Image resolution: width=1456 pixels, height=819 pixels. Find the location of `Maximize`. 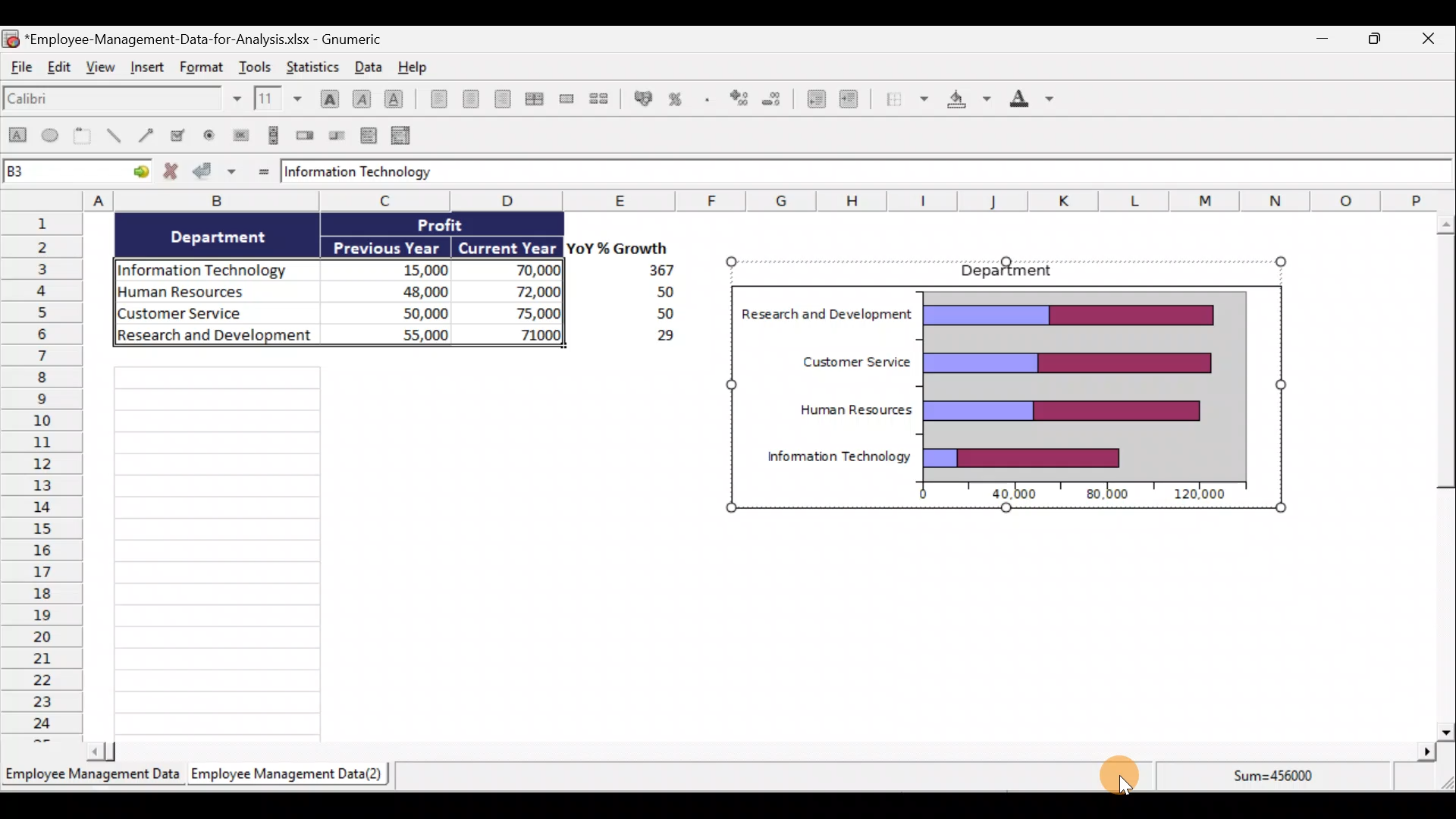

Maximize is located at coordinates (1379, 39).